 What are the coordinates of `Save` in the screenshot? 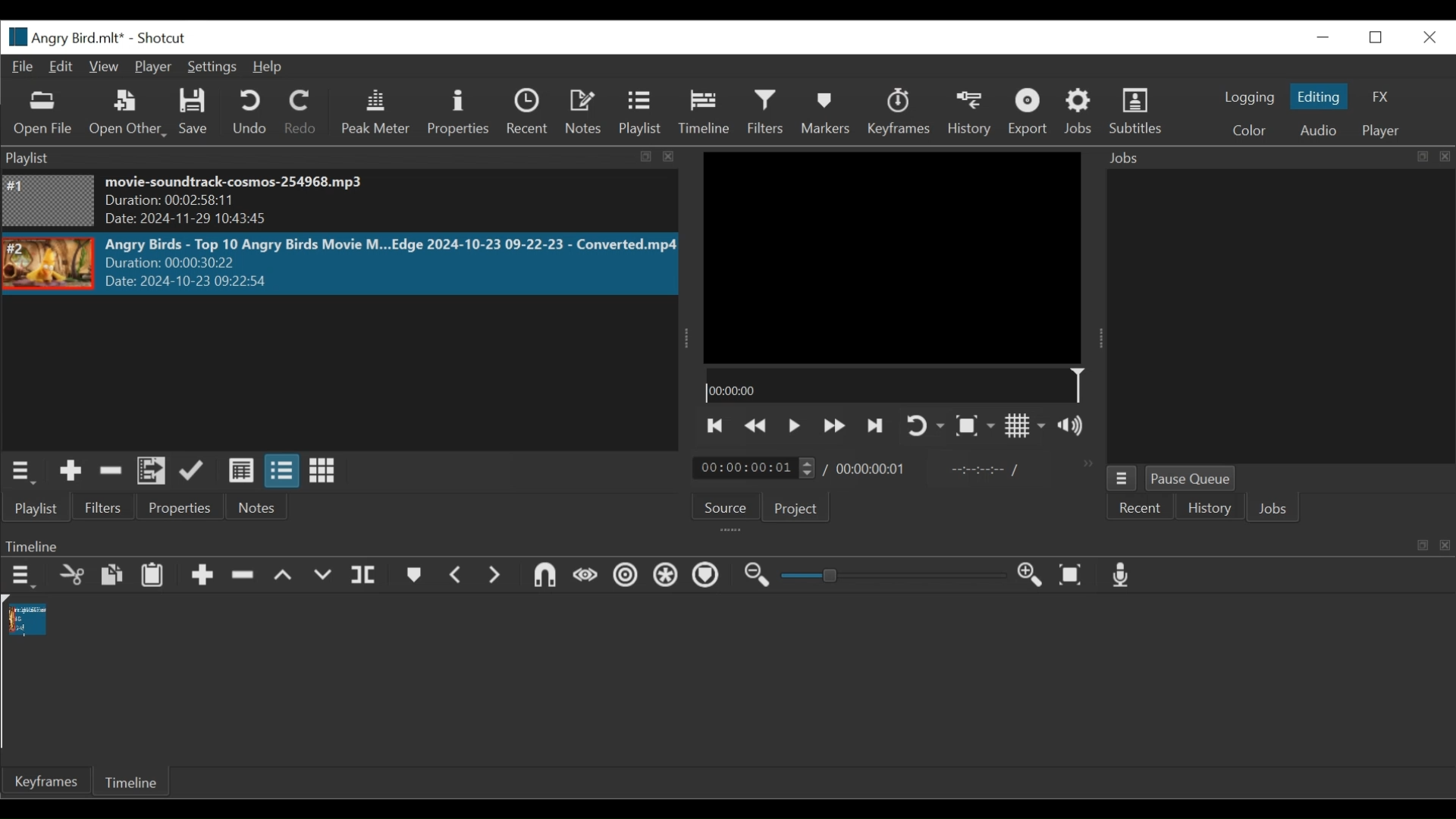 It's located at (196, 113).